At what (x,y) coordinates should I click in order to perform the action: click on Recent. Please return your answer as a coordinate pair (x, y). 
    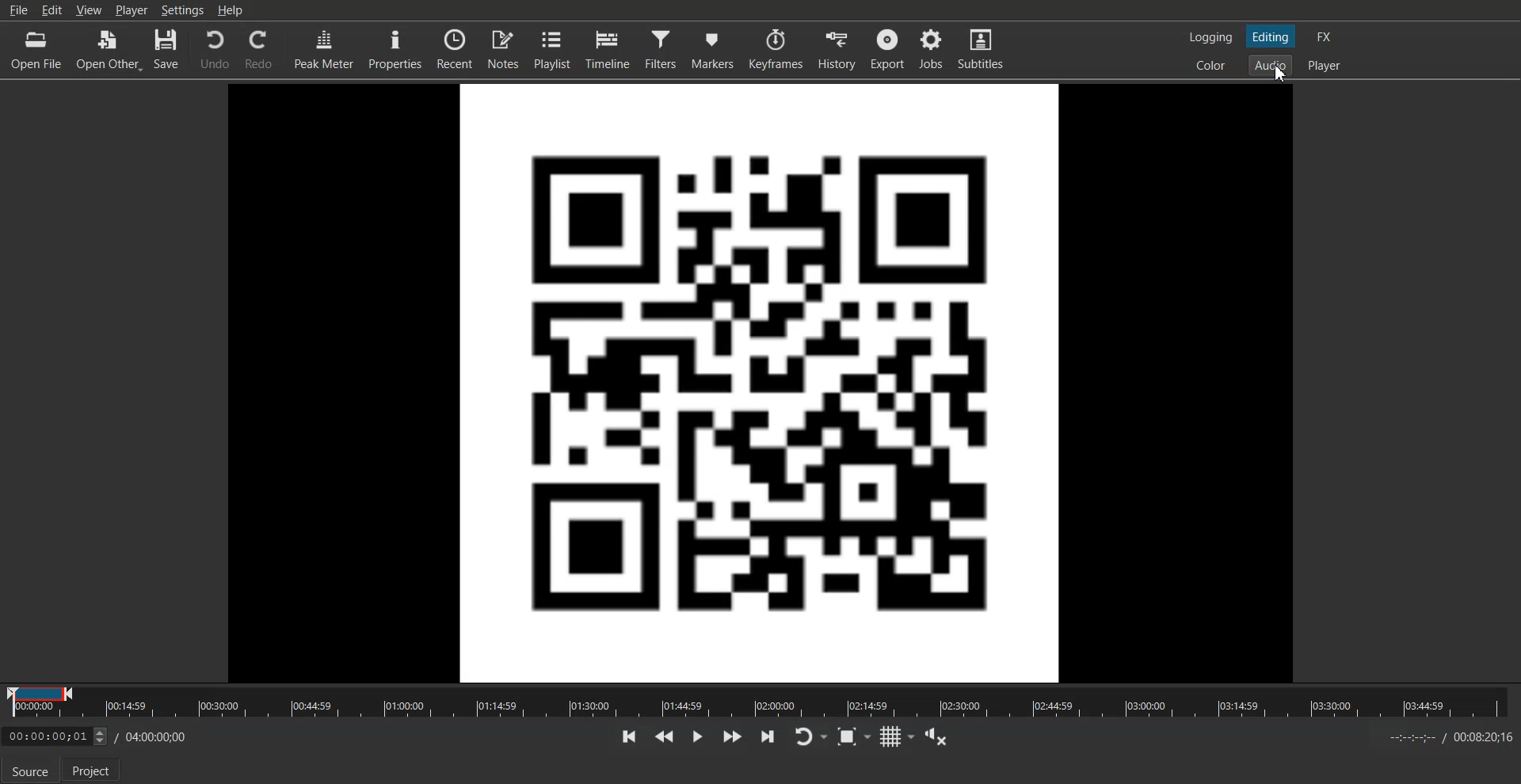
    Looking at the image, I should click on (455, 50).